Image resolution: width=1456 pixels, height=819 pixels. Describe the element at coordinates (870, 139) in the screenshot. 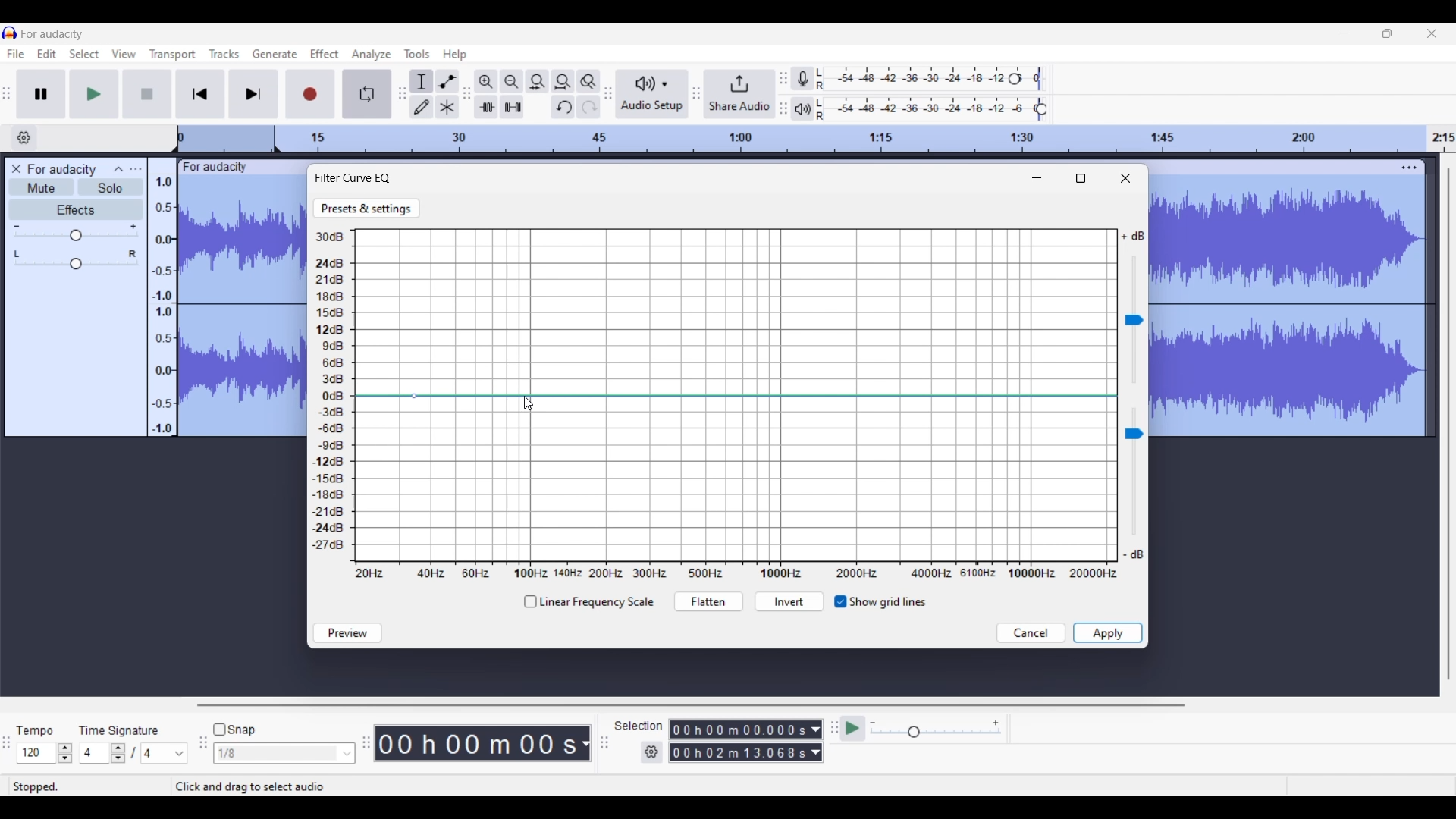

I see `Scale to track length of audio` at that location.